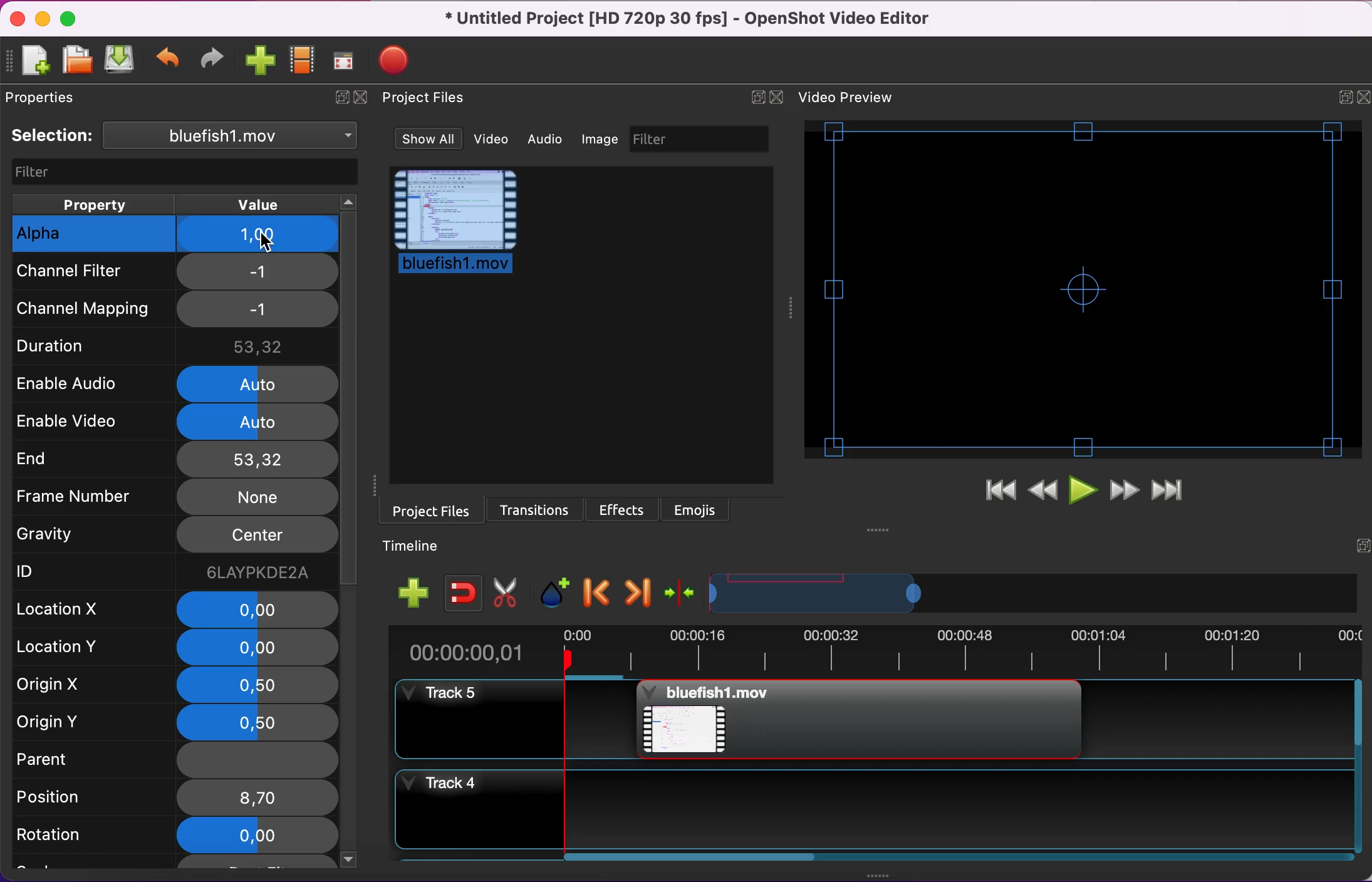 This screenshot has width=1372, height=882. What do you see at coordinates (89, 420) in the screenshot?
I see `enable video` at bounding box center [89, 420].